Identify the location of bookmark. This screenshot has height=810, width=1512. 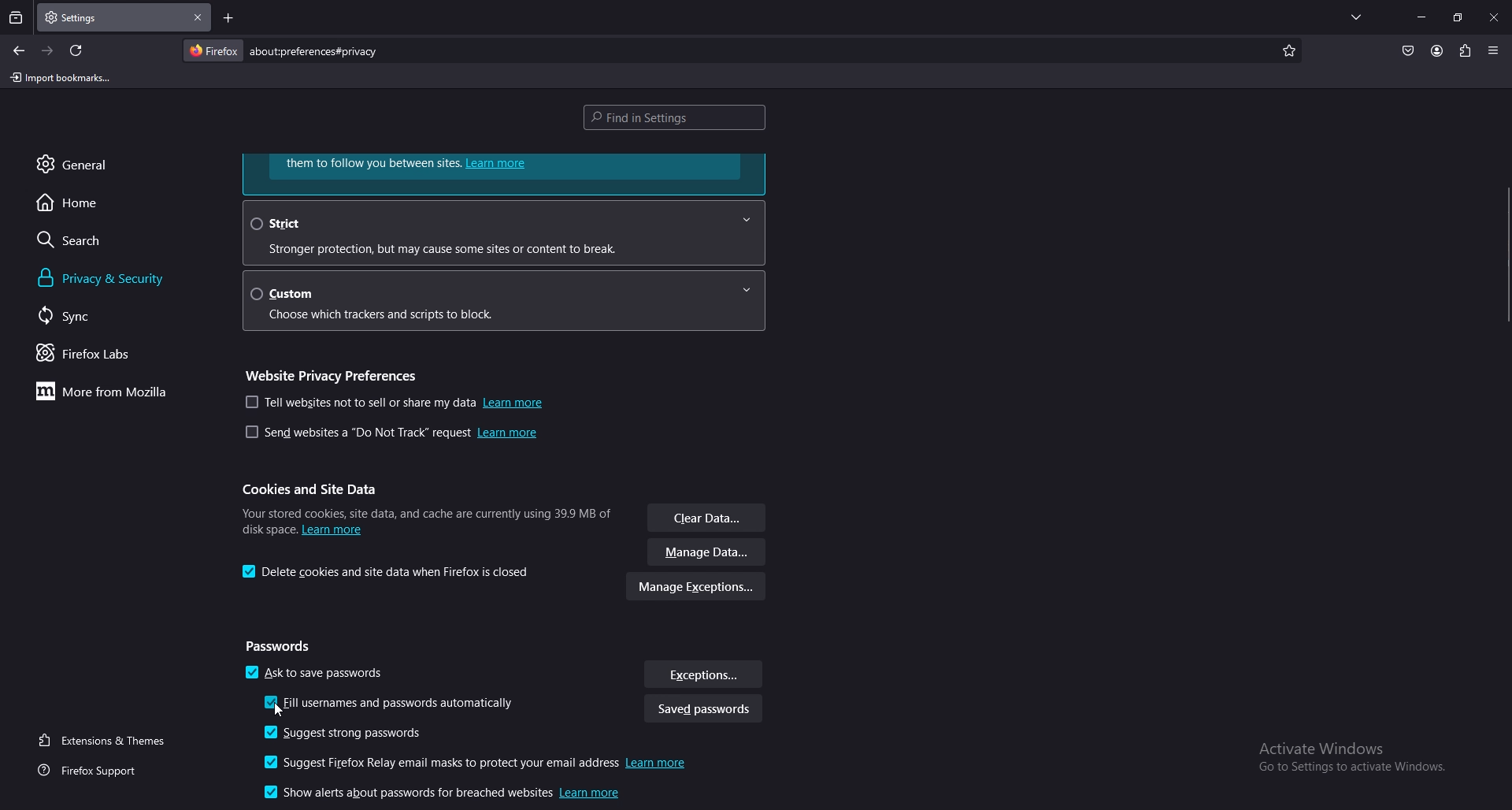
(1290, 51).